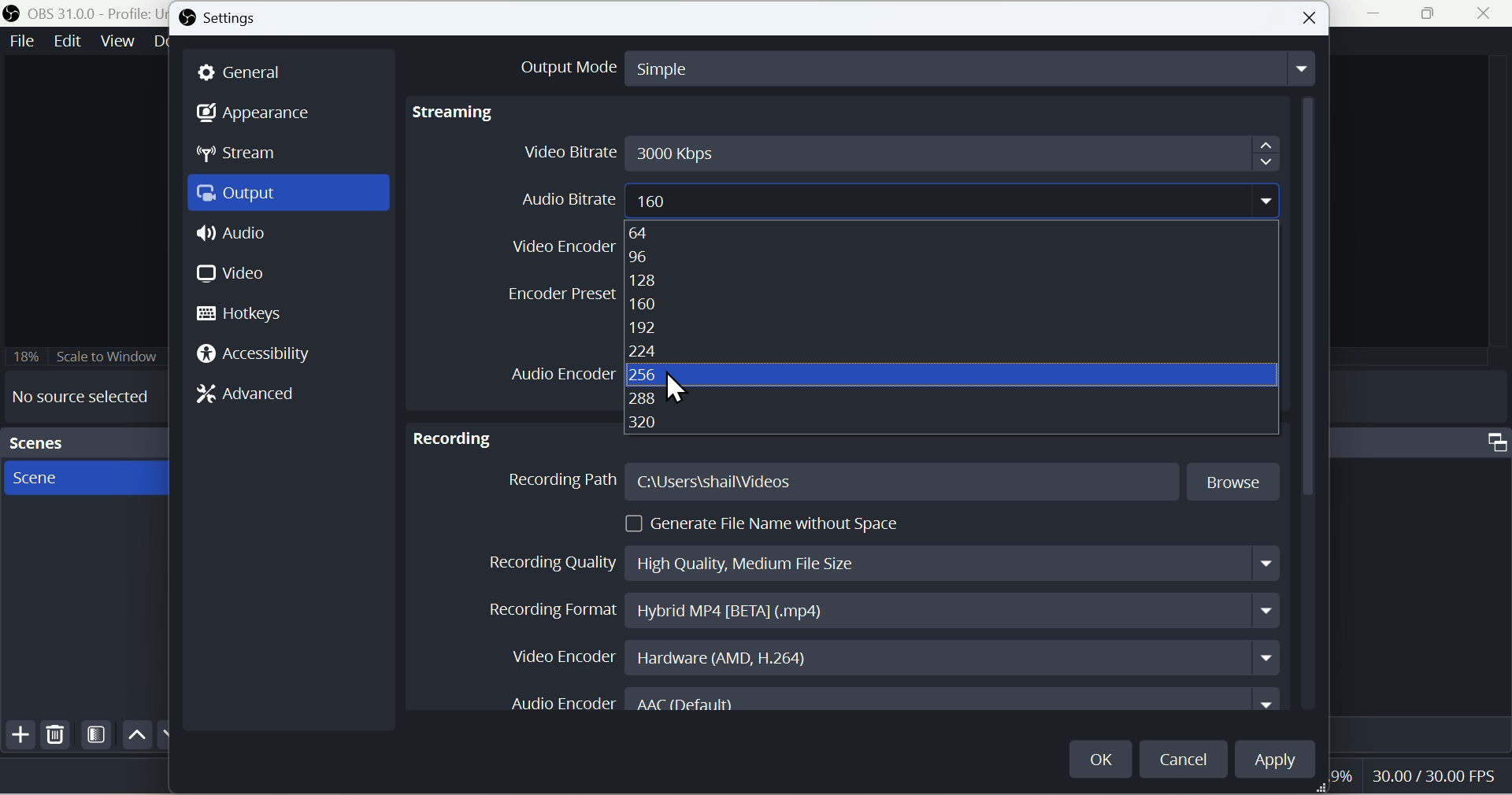 The height and width of the screenshot is (795, 1512). What do you see at coordinates (229, 20) in the screenshot?
I see `Settings` at bounding box center [229, 20].